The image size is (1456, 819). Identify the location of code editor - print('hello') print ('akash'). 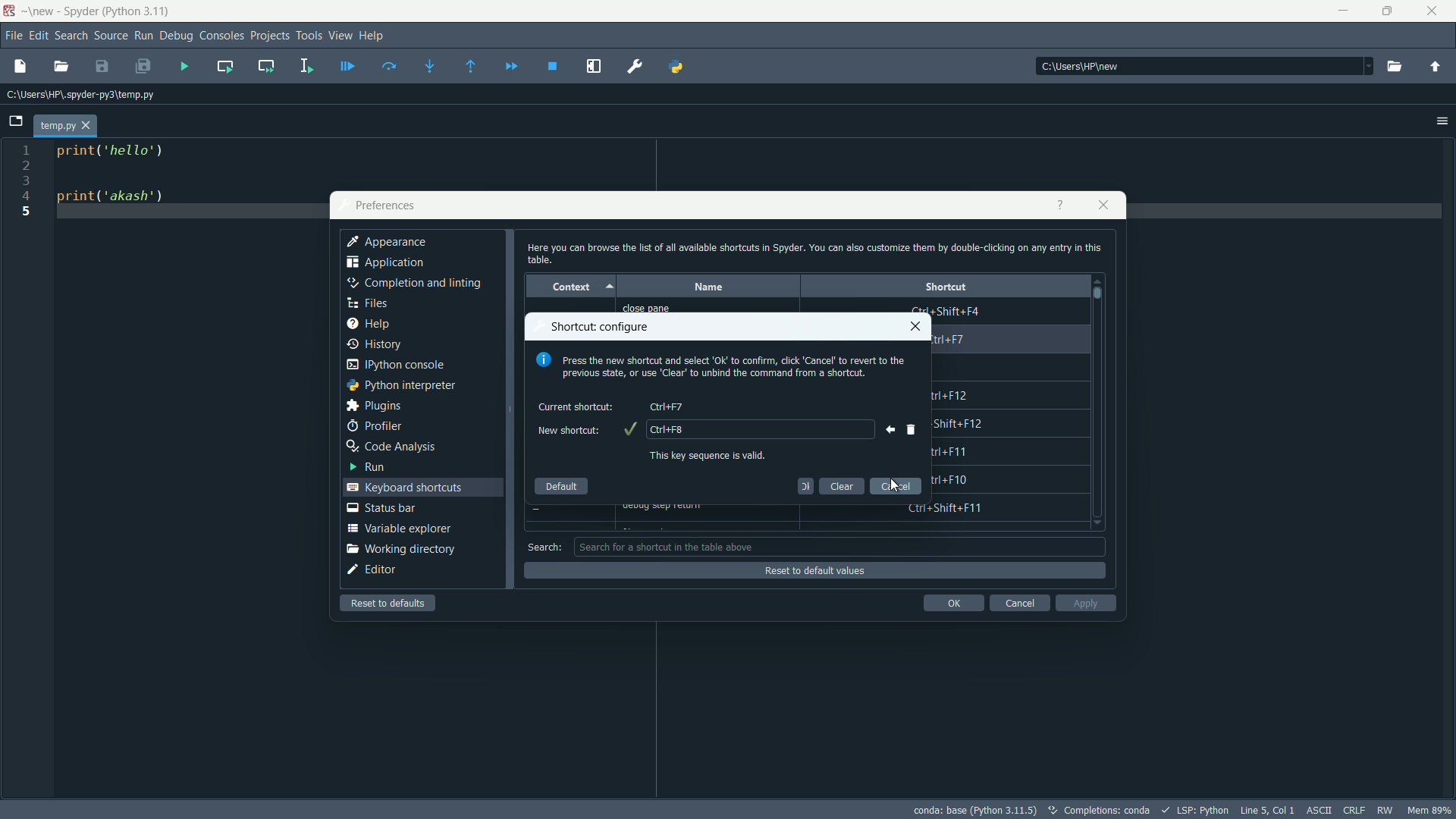
(107, 180).